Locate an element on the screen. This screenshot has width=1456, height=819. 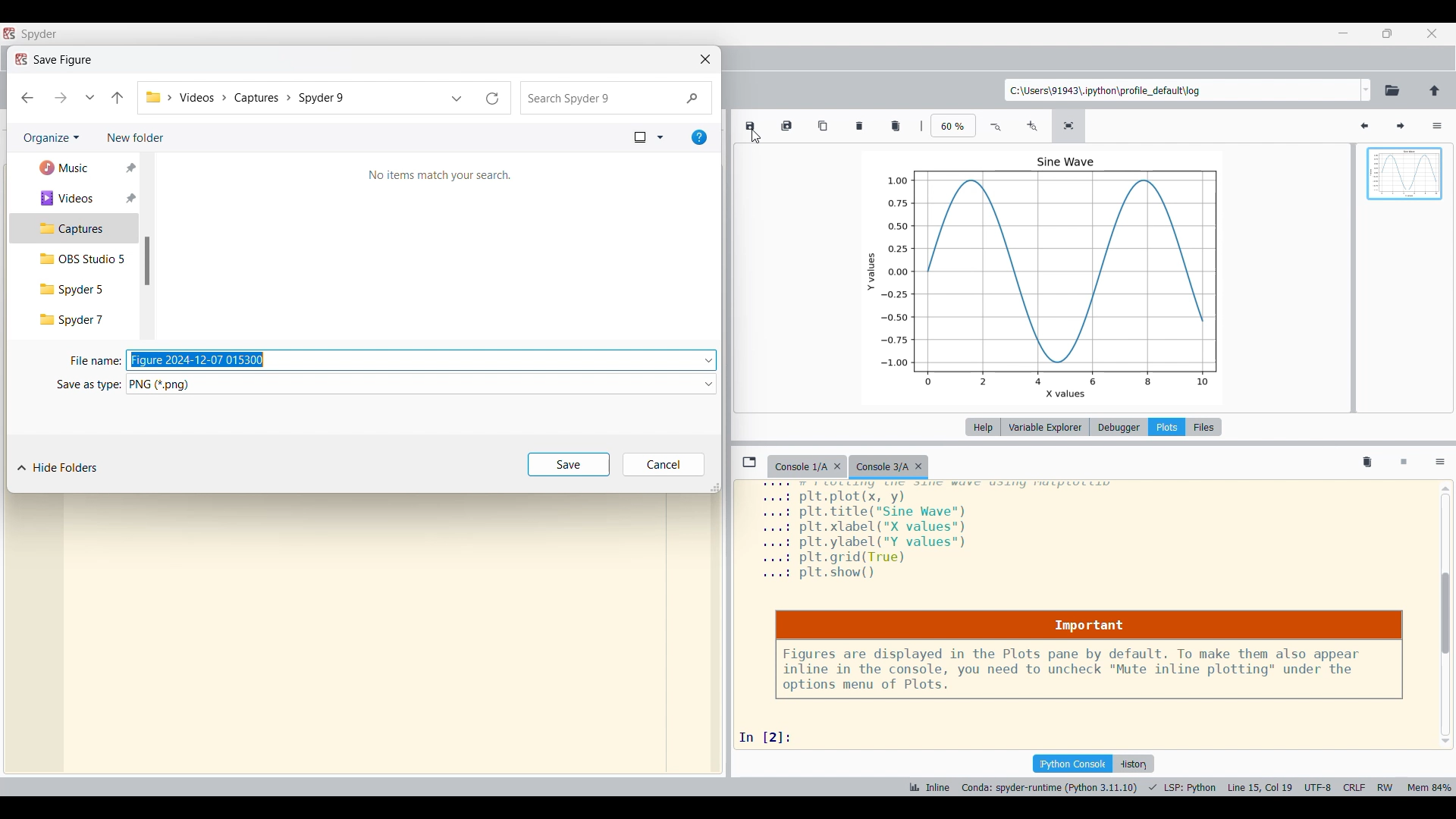
Text box is located at coordinates (413, 360).